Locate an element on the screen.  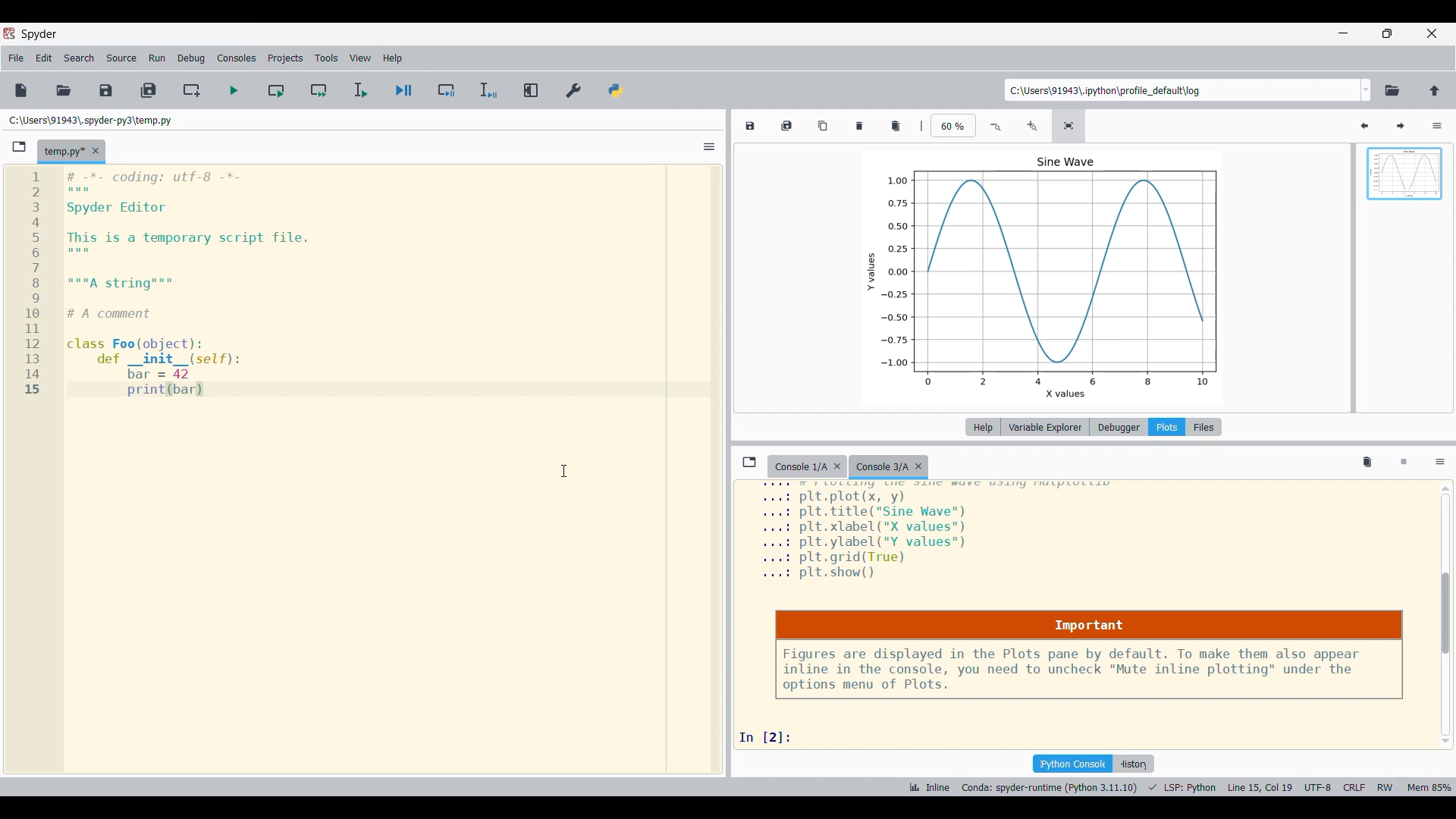
Edit menu is located at coordinates (45, 58).